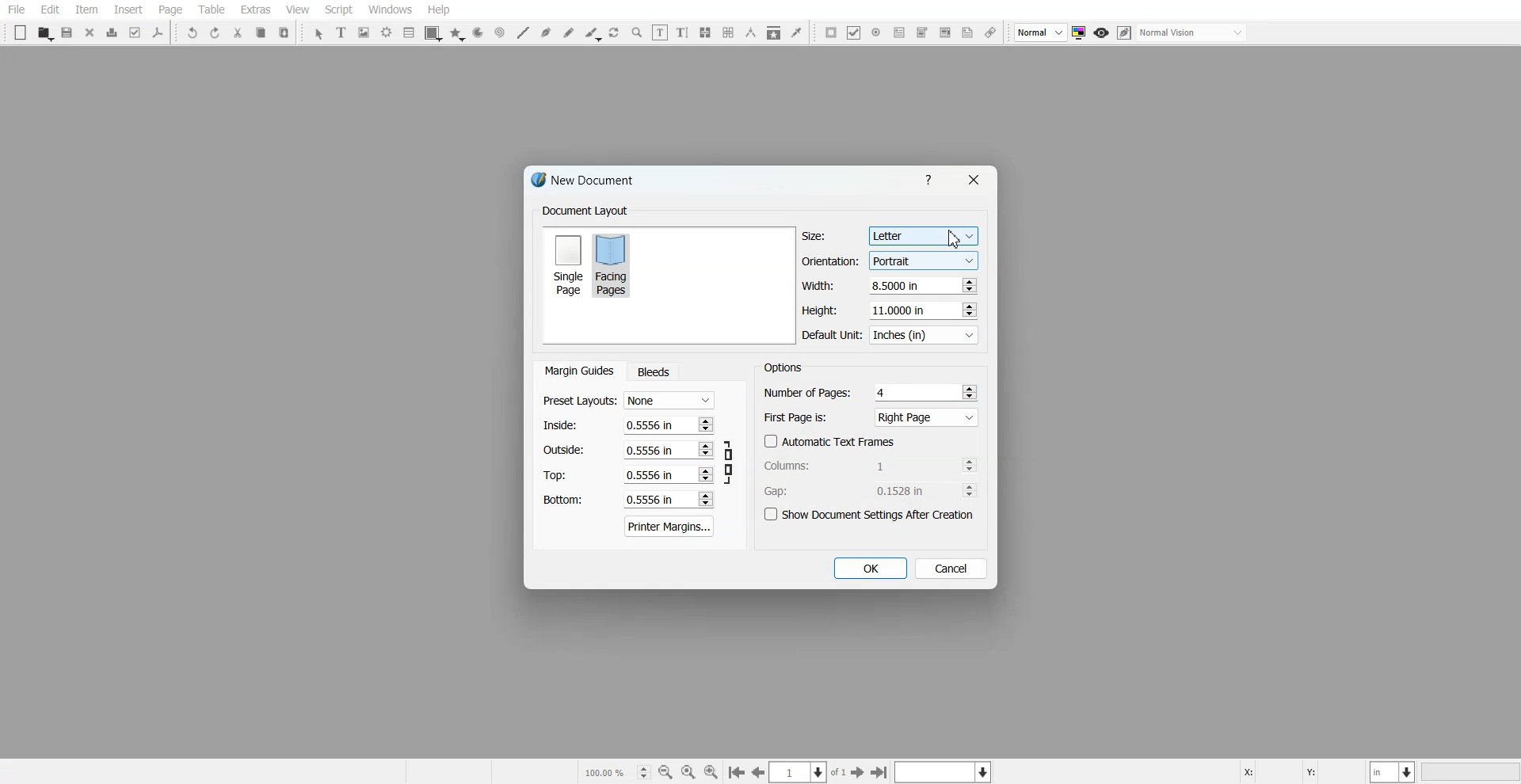  Describe the element at coordinates (711, 771) in the screenshot. I see `Zoom In` at that location.